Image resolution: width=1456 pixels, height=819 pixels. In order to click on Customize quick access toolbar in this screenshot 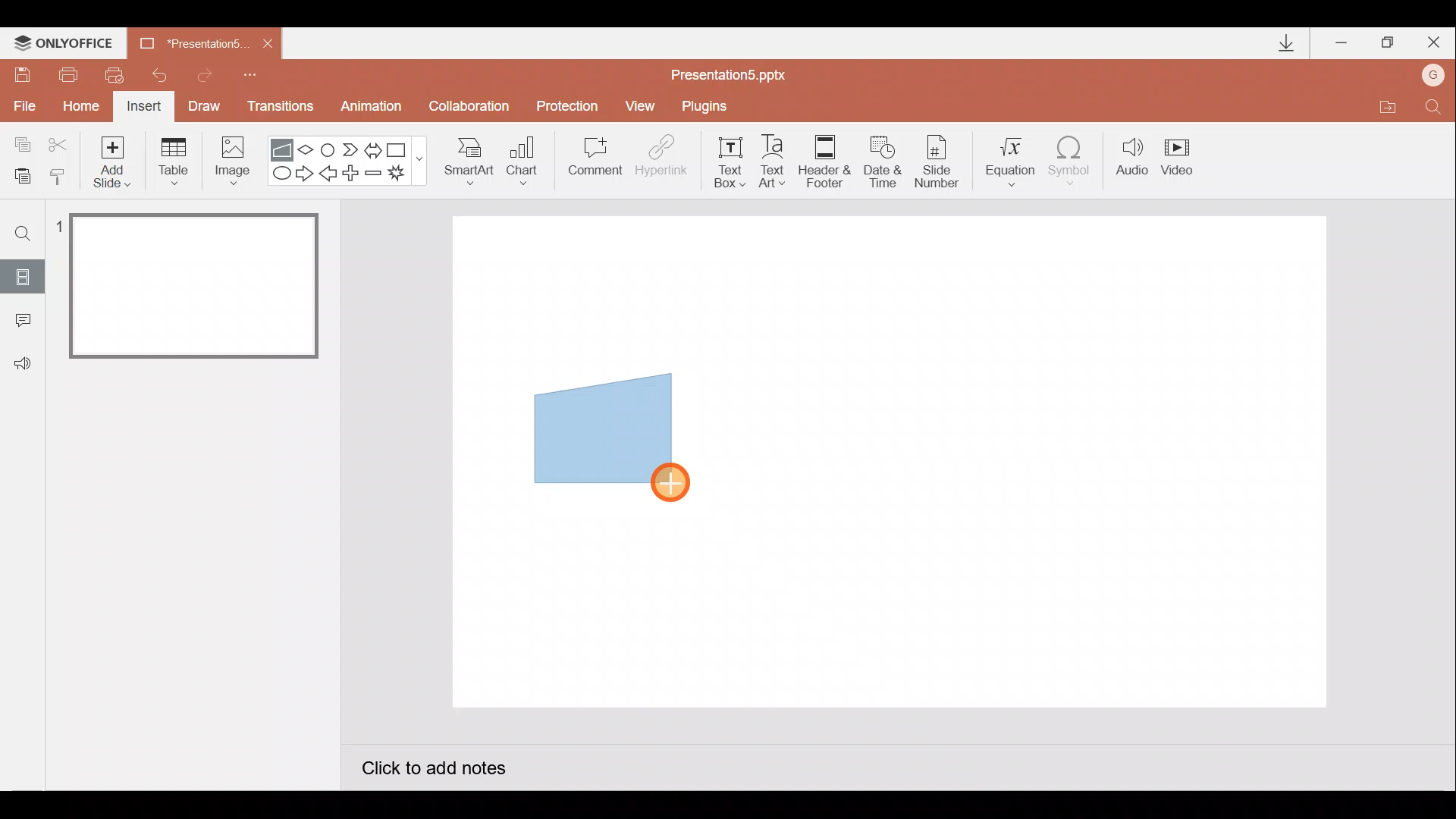, I will do `click(250, 73)`.